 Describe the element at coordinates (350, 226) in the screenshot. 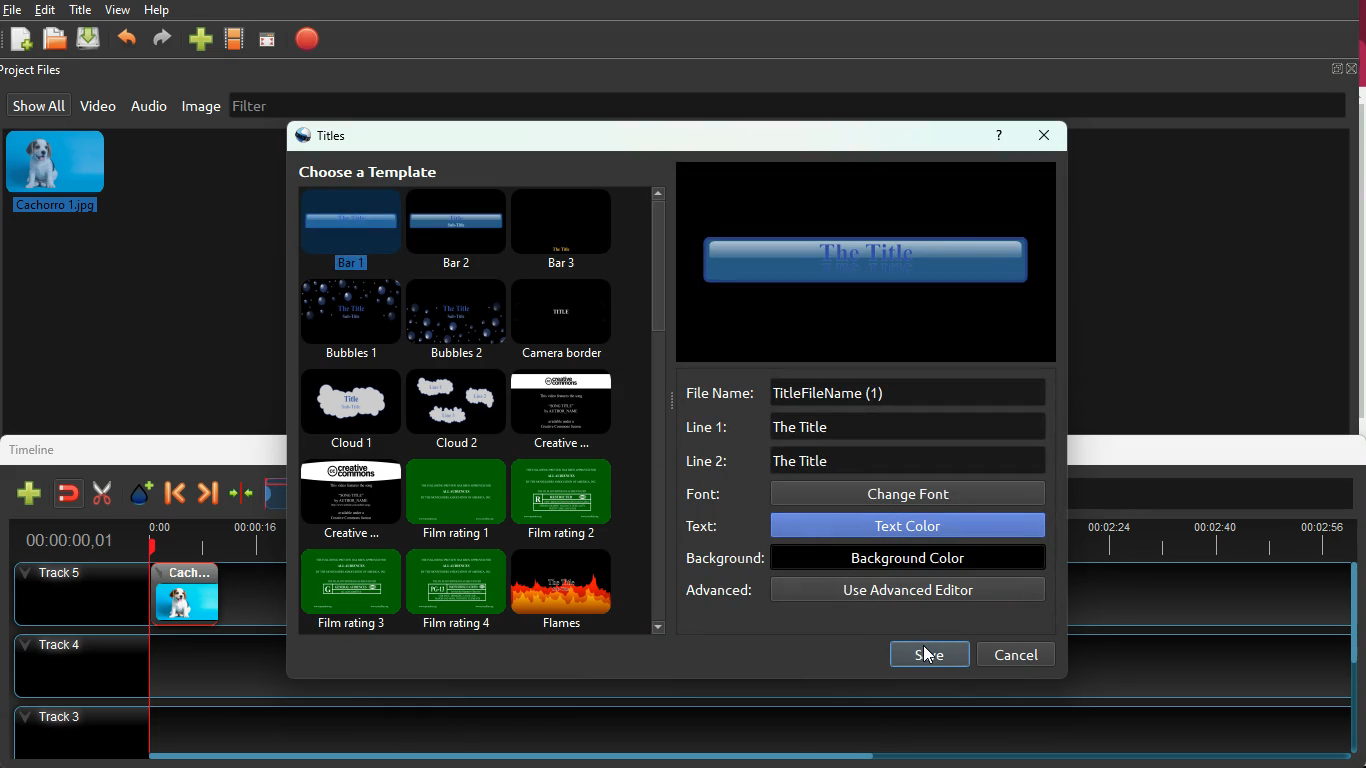

I see `bar 1` at that location.